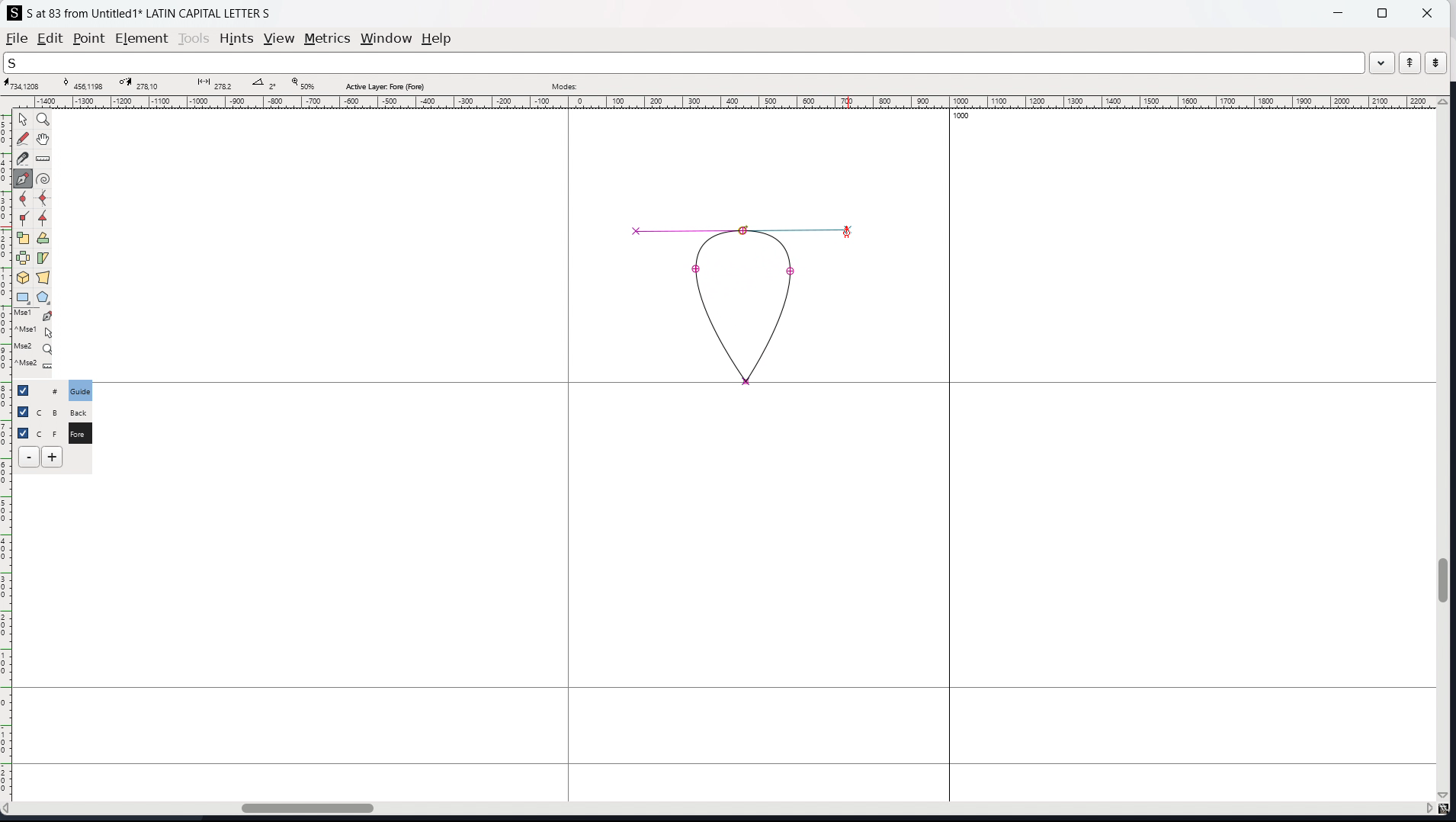  What do you see at coordinates (44, 199) in the screenshot?
I see `add a curve point always either vertically or horizontally` at bounding box center [44, 199].